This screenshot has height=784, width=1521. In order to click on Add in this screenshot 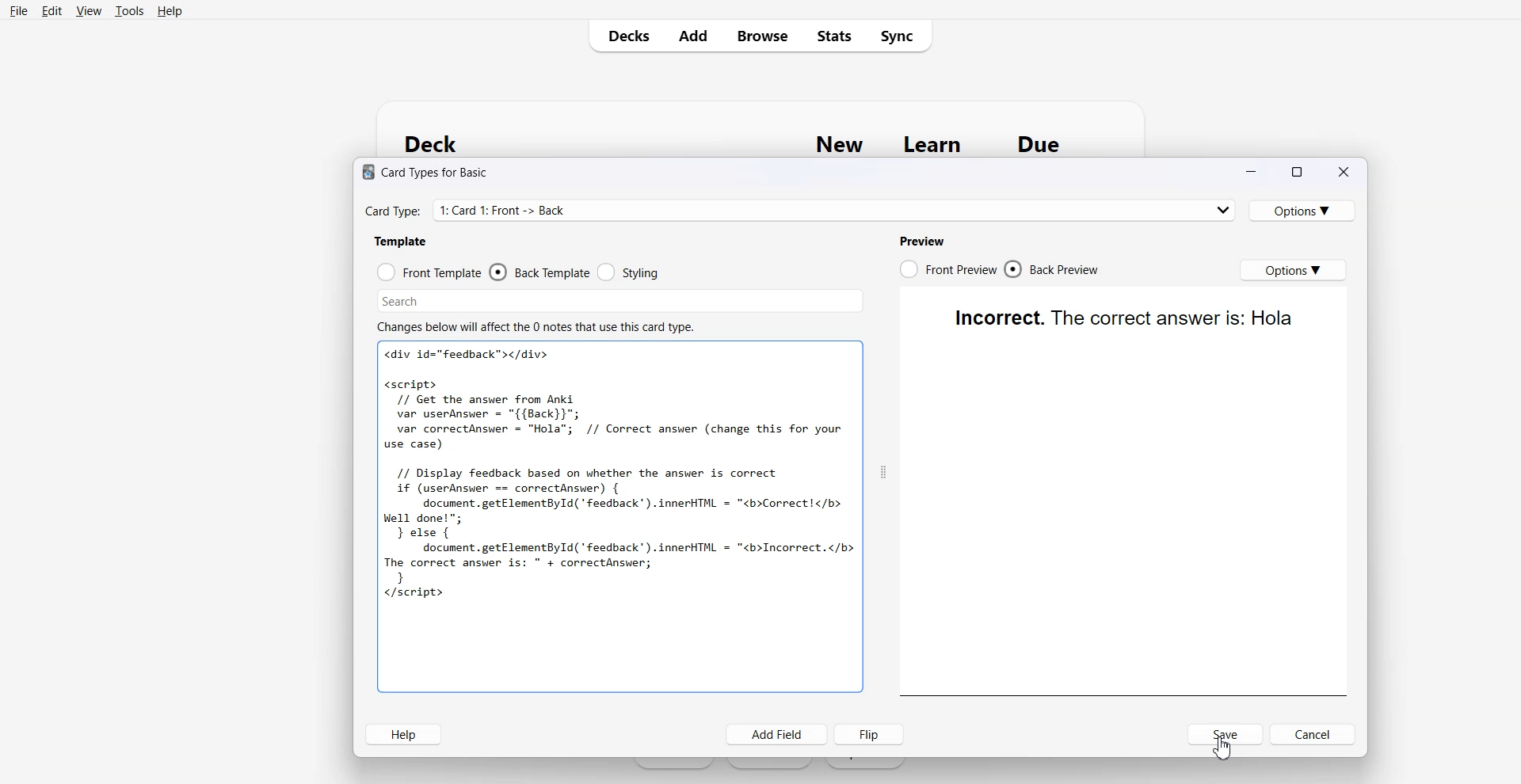, I will do `click(692, 35)`.